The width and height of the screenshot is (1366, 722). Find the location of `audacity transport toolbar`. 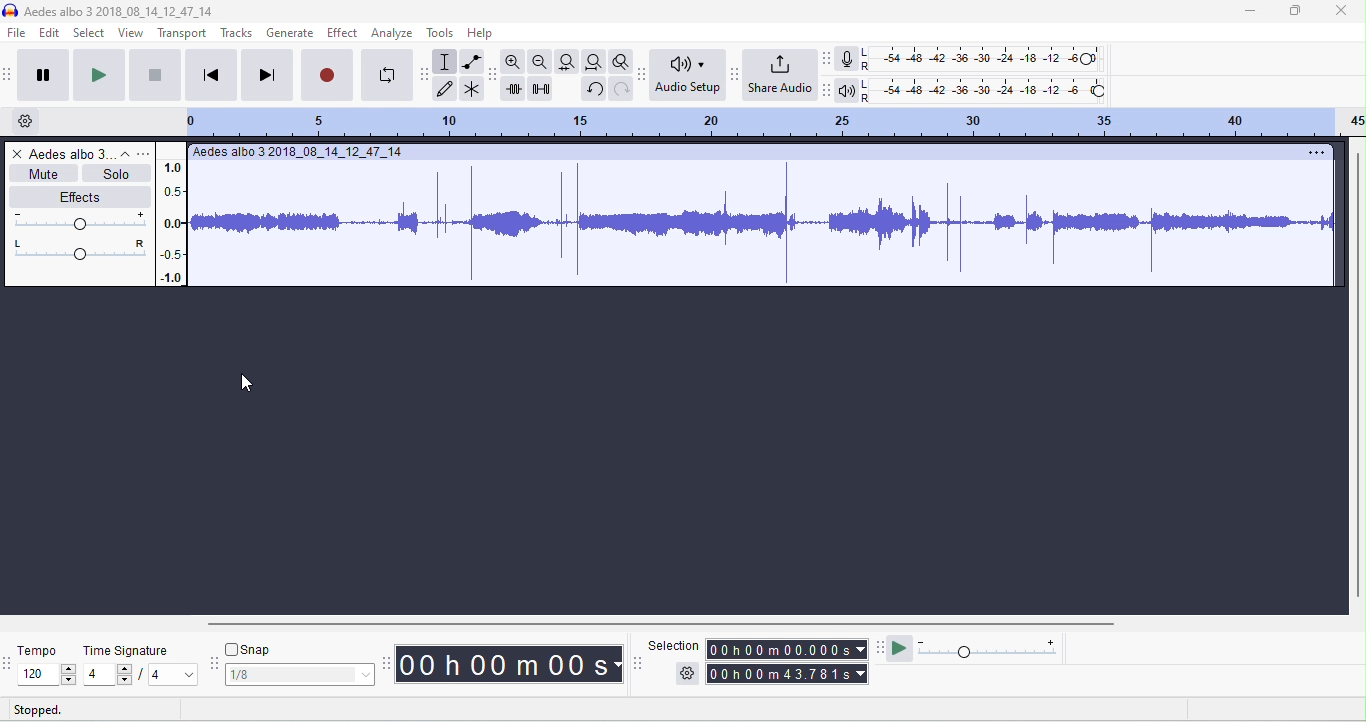

audacity transport toolbar is located at coordinates (9, 72).